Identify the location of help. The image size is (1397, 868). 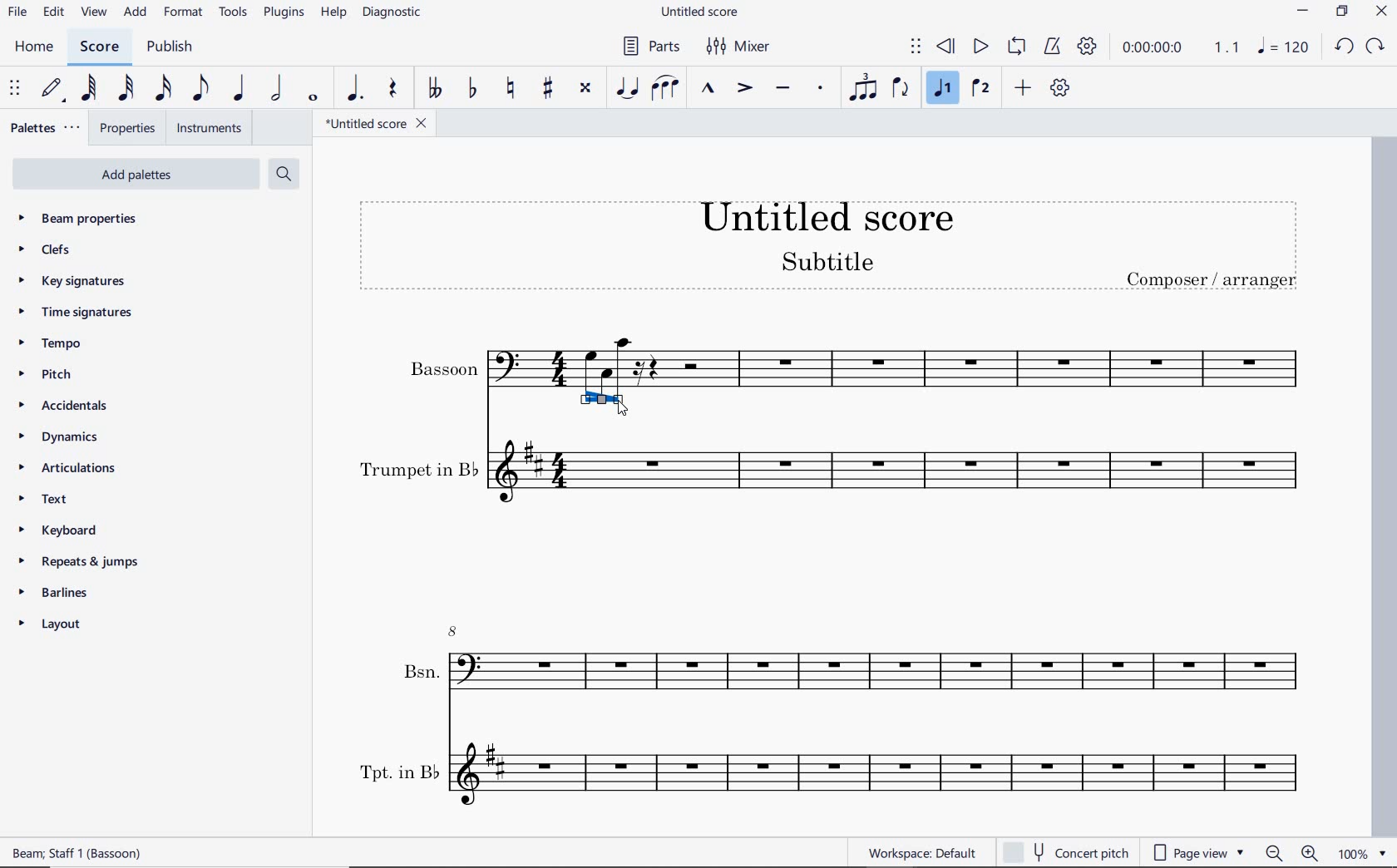
(333, 12).